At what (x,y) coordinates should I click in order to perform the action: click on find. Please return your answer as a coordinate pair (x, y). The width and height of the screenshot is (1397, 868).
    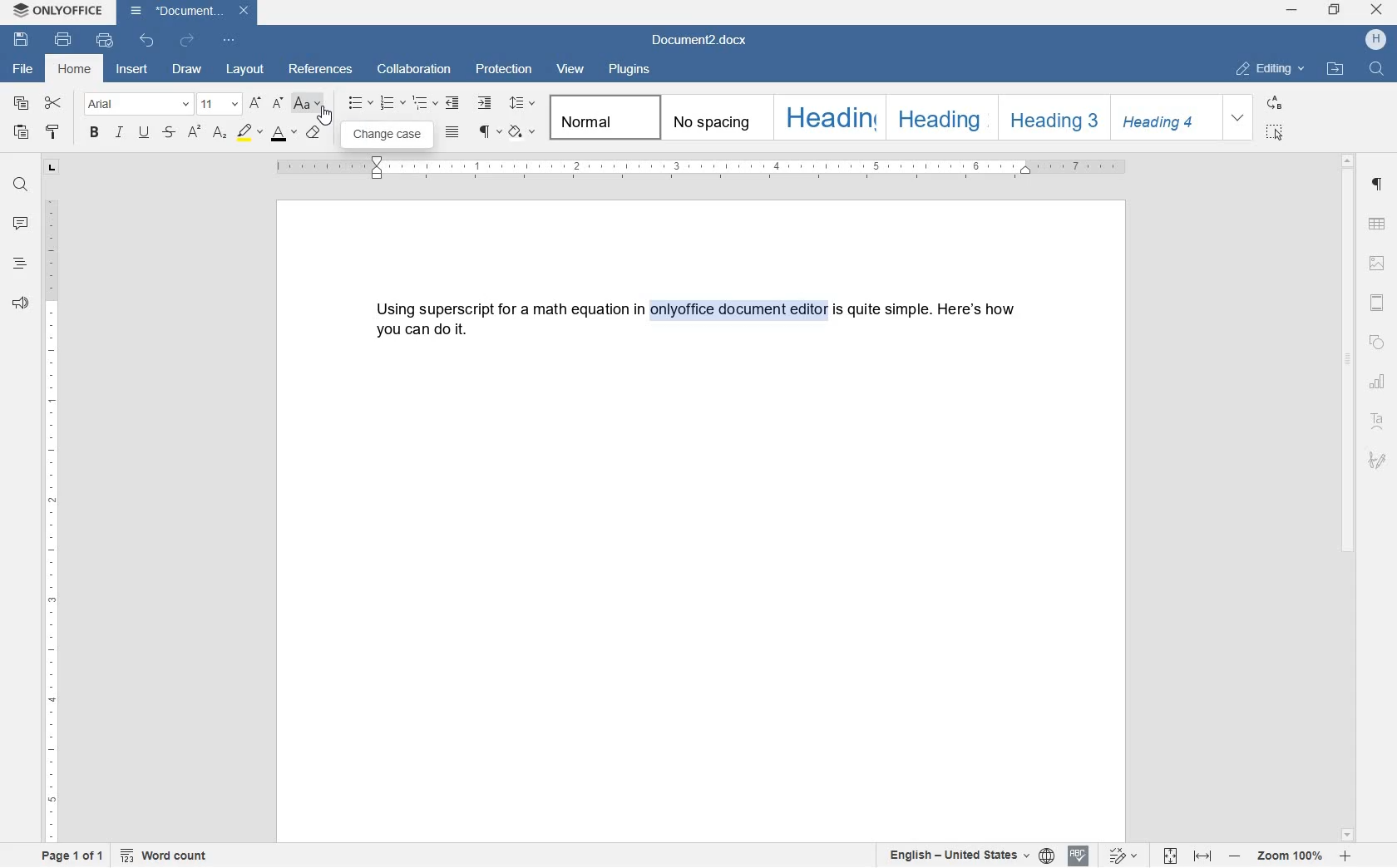
    Looking at the image, I should click on (20, 181).